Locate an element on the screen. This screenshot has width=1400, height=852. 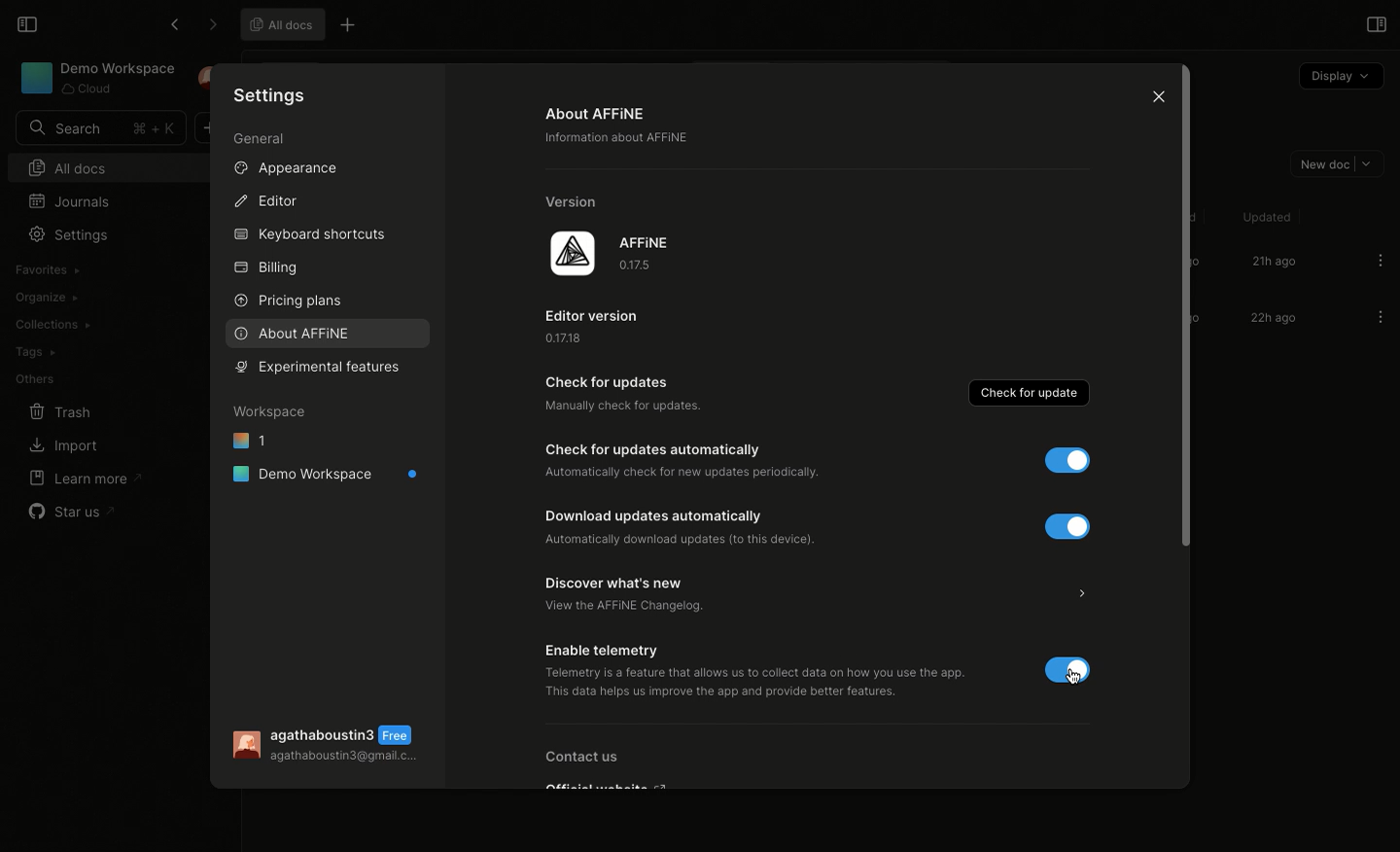
About AFFINE is located at coordinates (294, 334).